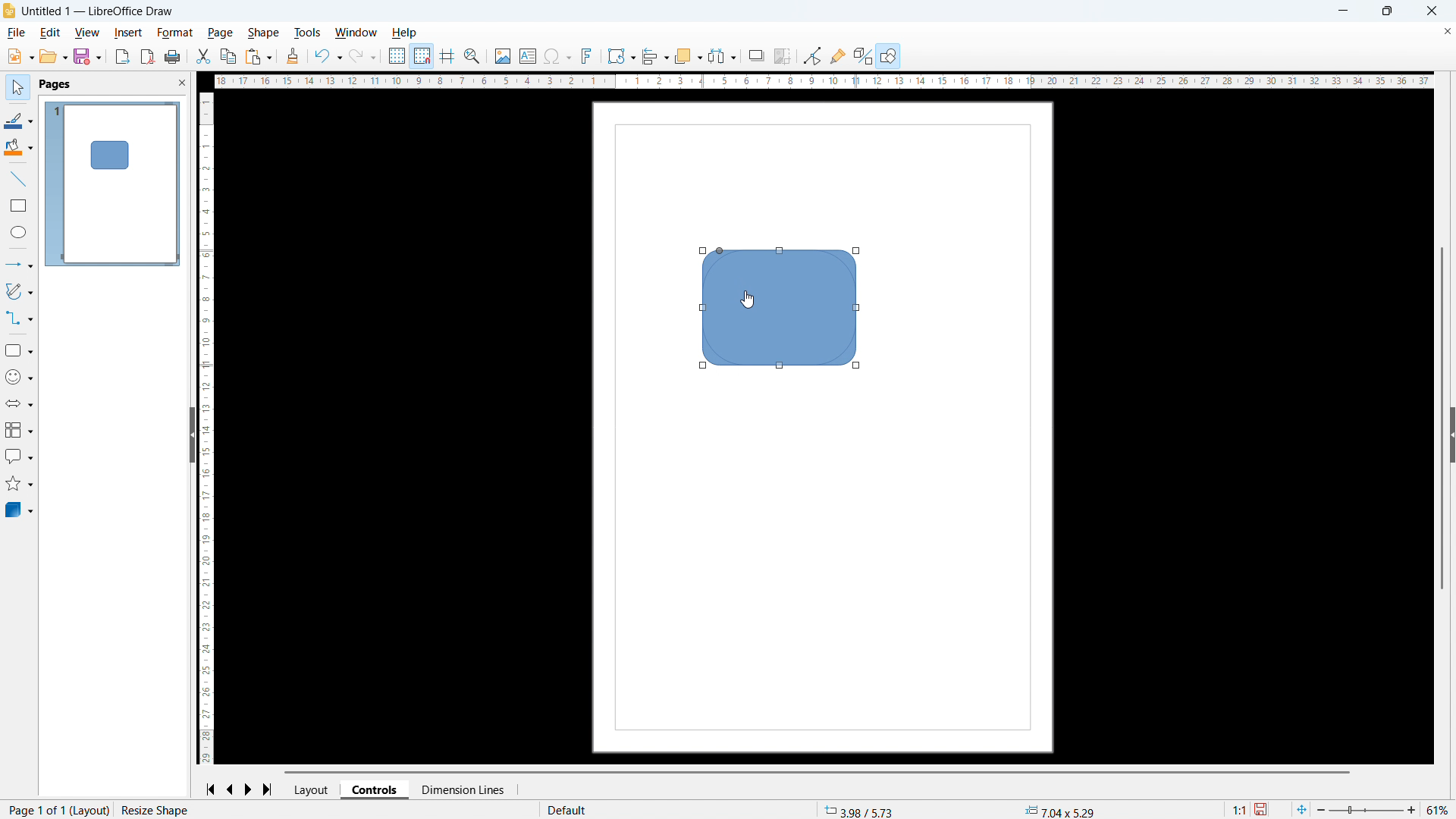 This screenshot has width=1456, height=819. What do you see at coordinates (528, 55) in the screenshot?
I see `Insert text box ` at bounding box center [528, 55].